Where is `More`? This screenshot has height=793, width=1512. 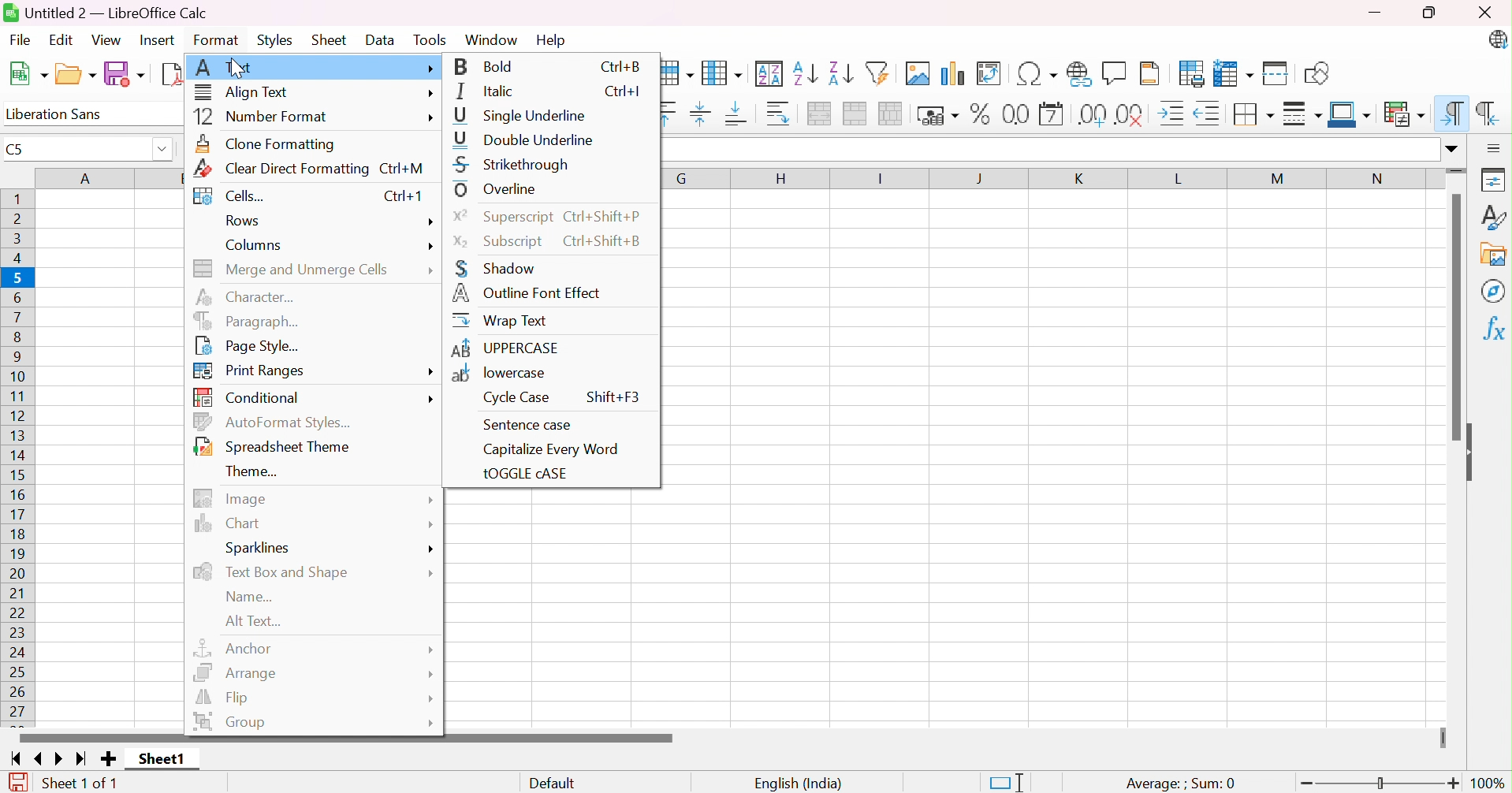 More is located at coordinates (431, 697).